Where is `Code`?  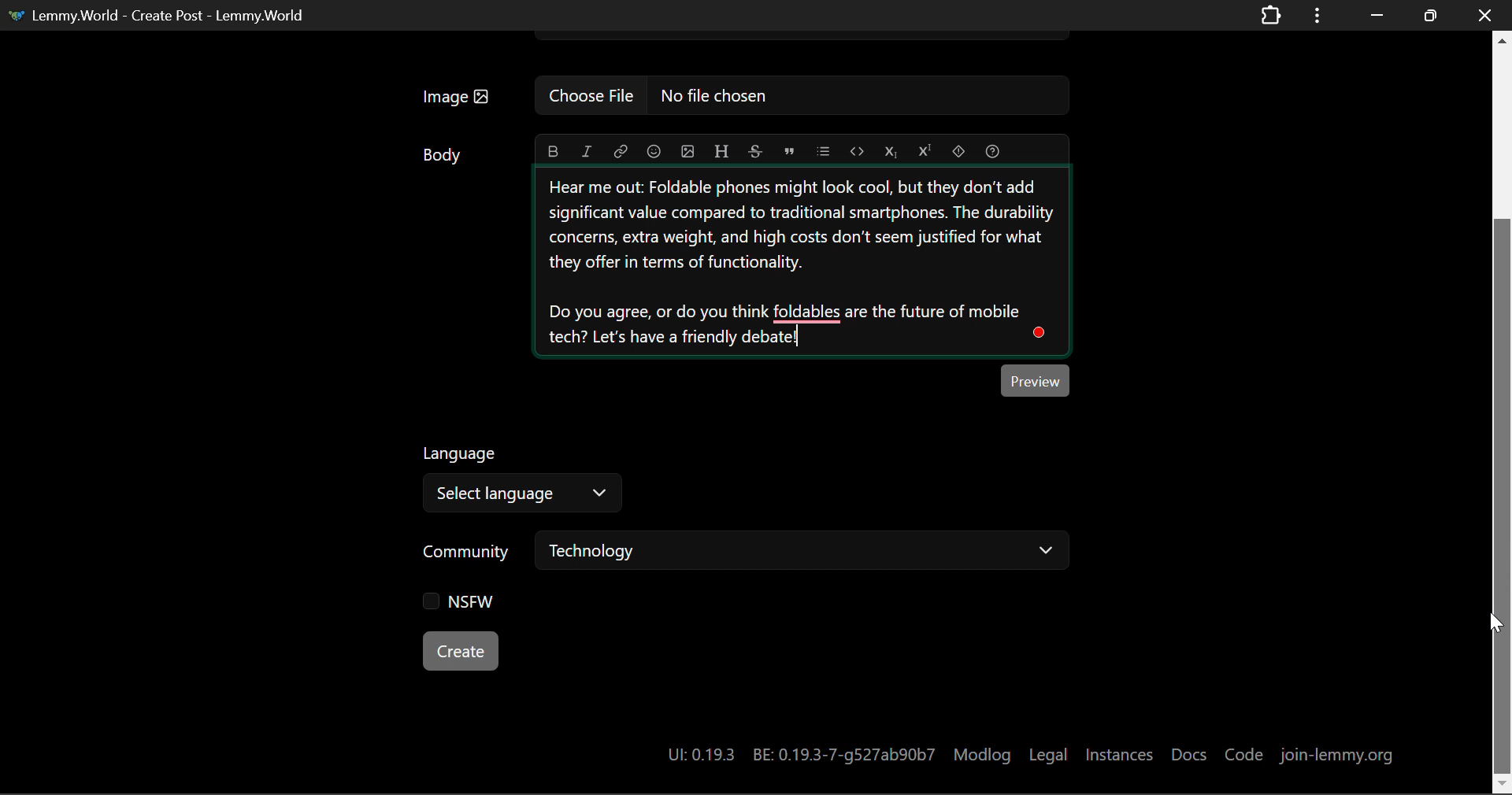 Code is located at coordinates (1243, 750).